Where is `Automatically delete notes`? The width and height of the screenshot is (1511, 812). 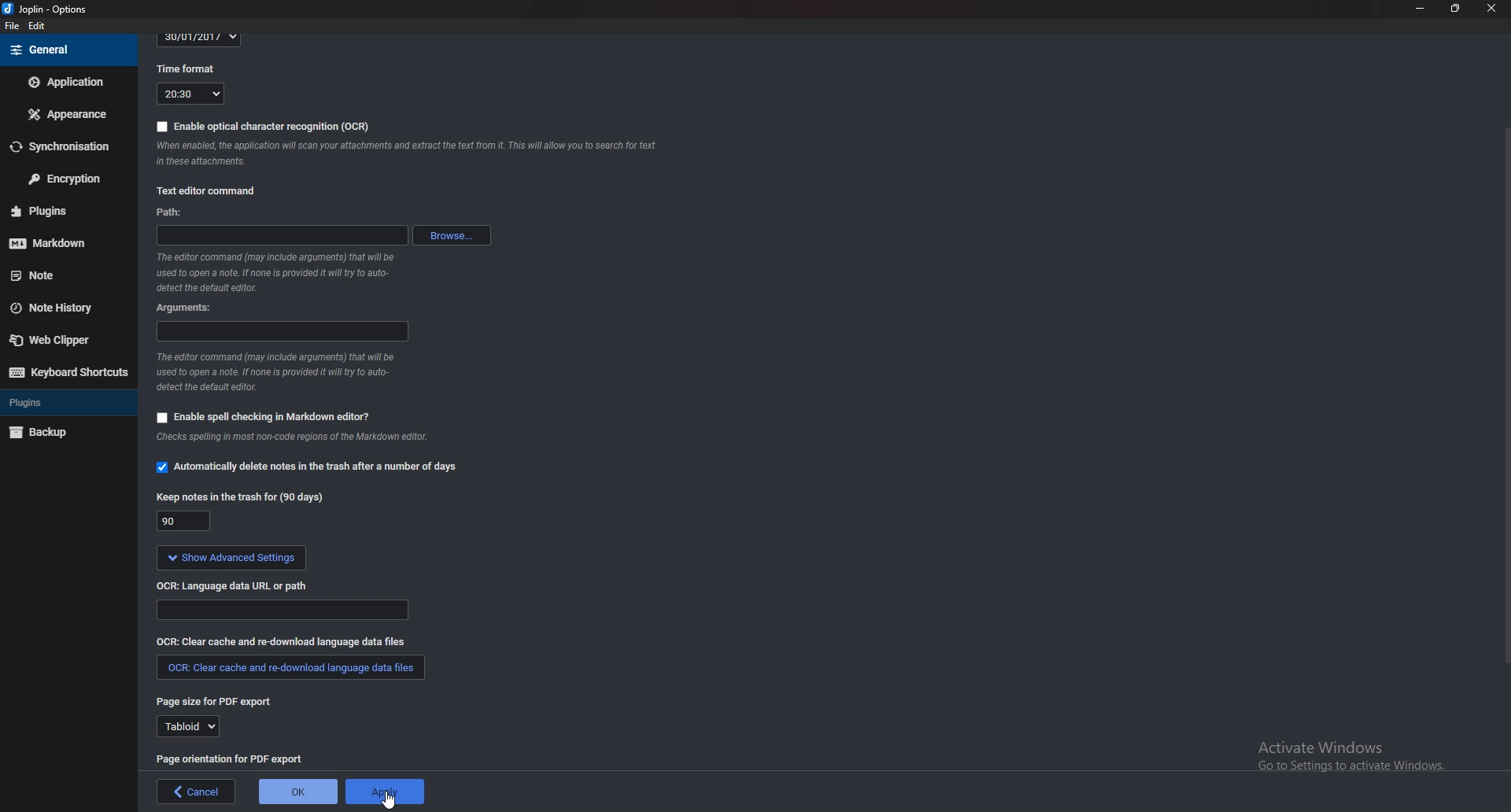
Automatically delete notes is located at coordinates (310, 465).